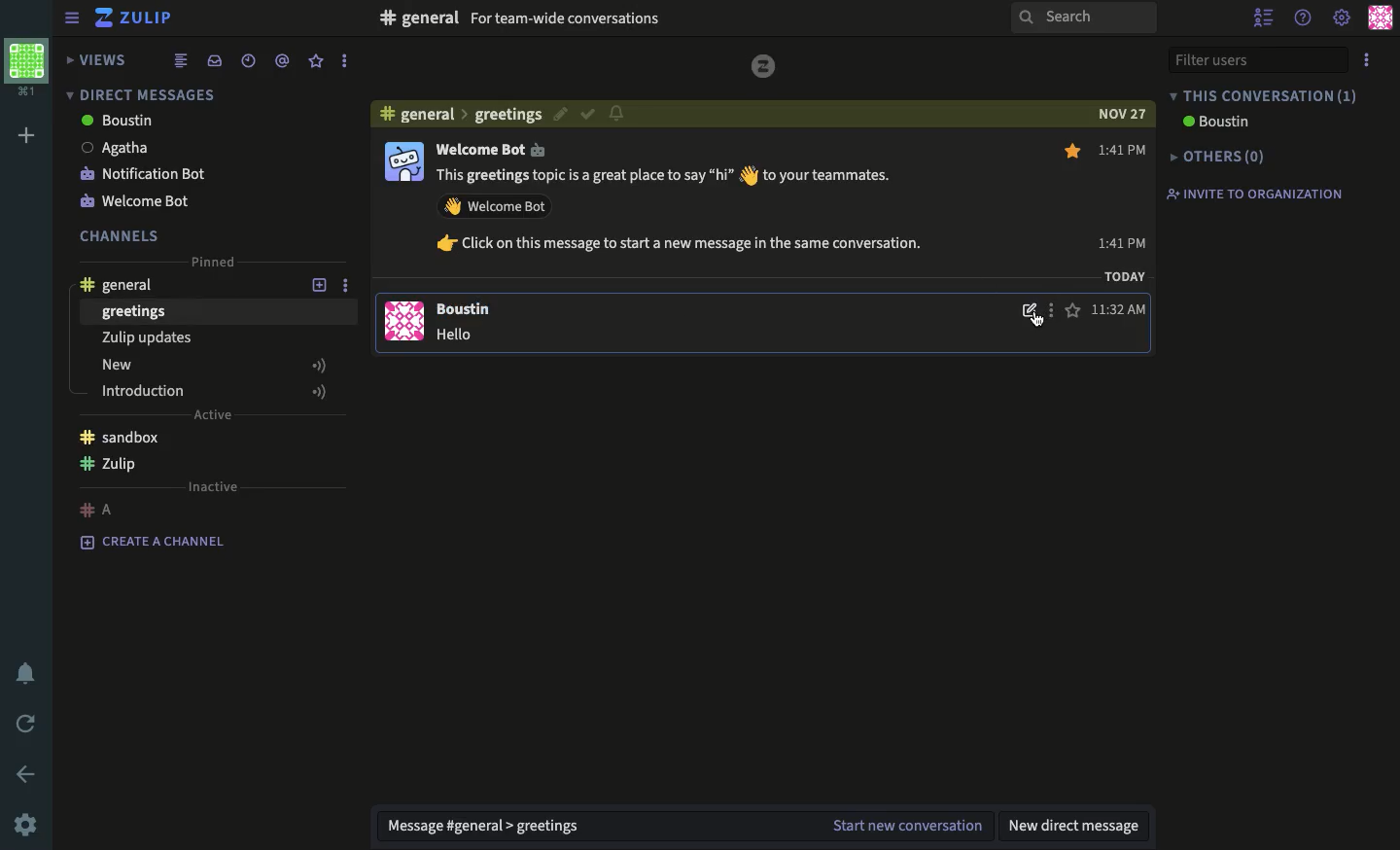 The width and height of the screenshot is (1400, 850). What do you see at coordinates (135, 313) in the screenshot?
I see `greetings` at bounding box center [135, 313].